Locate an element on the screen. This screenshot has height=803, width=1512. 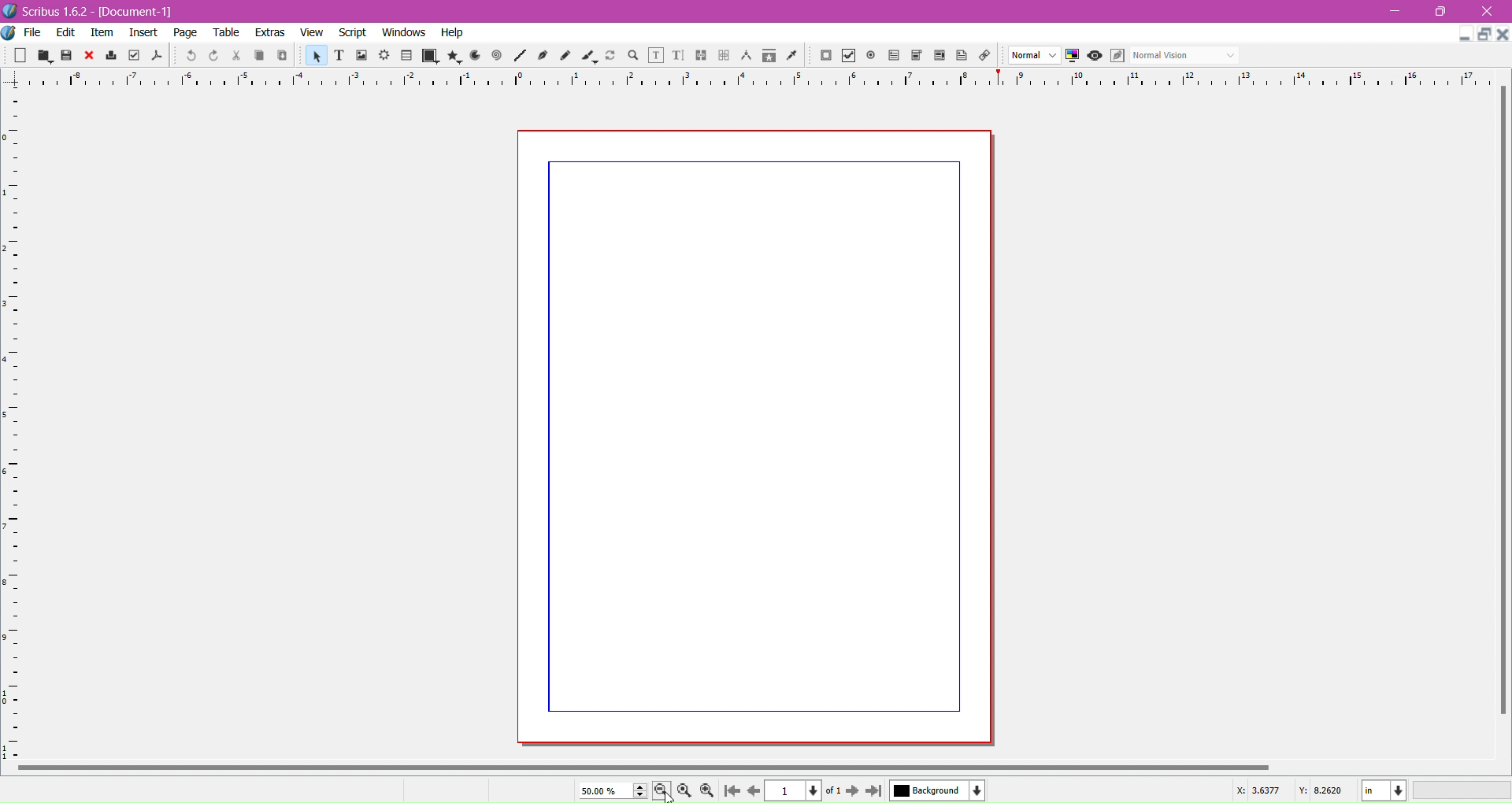
Print is located at coordinates (110, 55).